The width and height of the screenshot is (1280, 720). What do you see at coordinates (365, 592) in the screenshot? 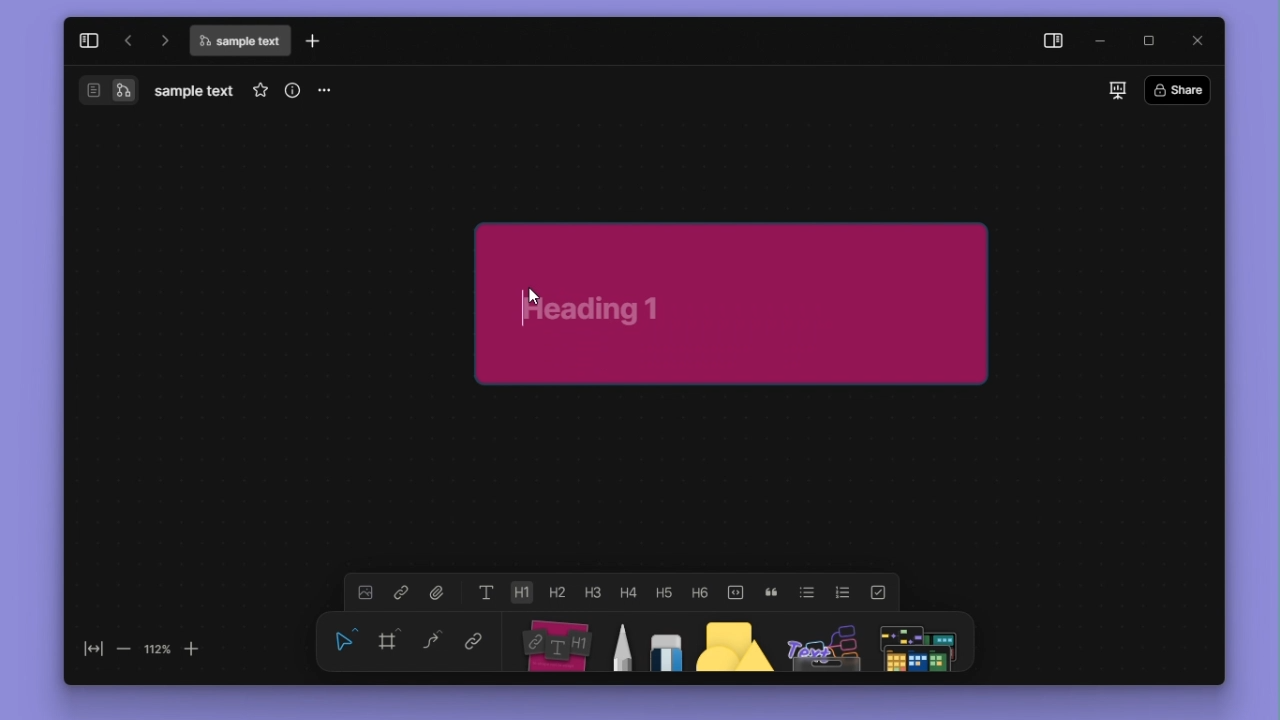
I see `image` at bounding box center [365, 592].